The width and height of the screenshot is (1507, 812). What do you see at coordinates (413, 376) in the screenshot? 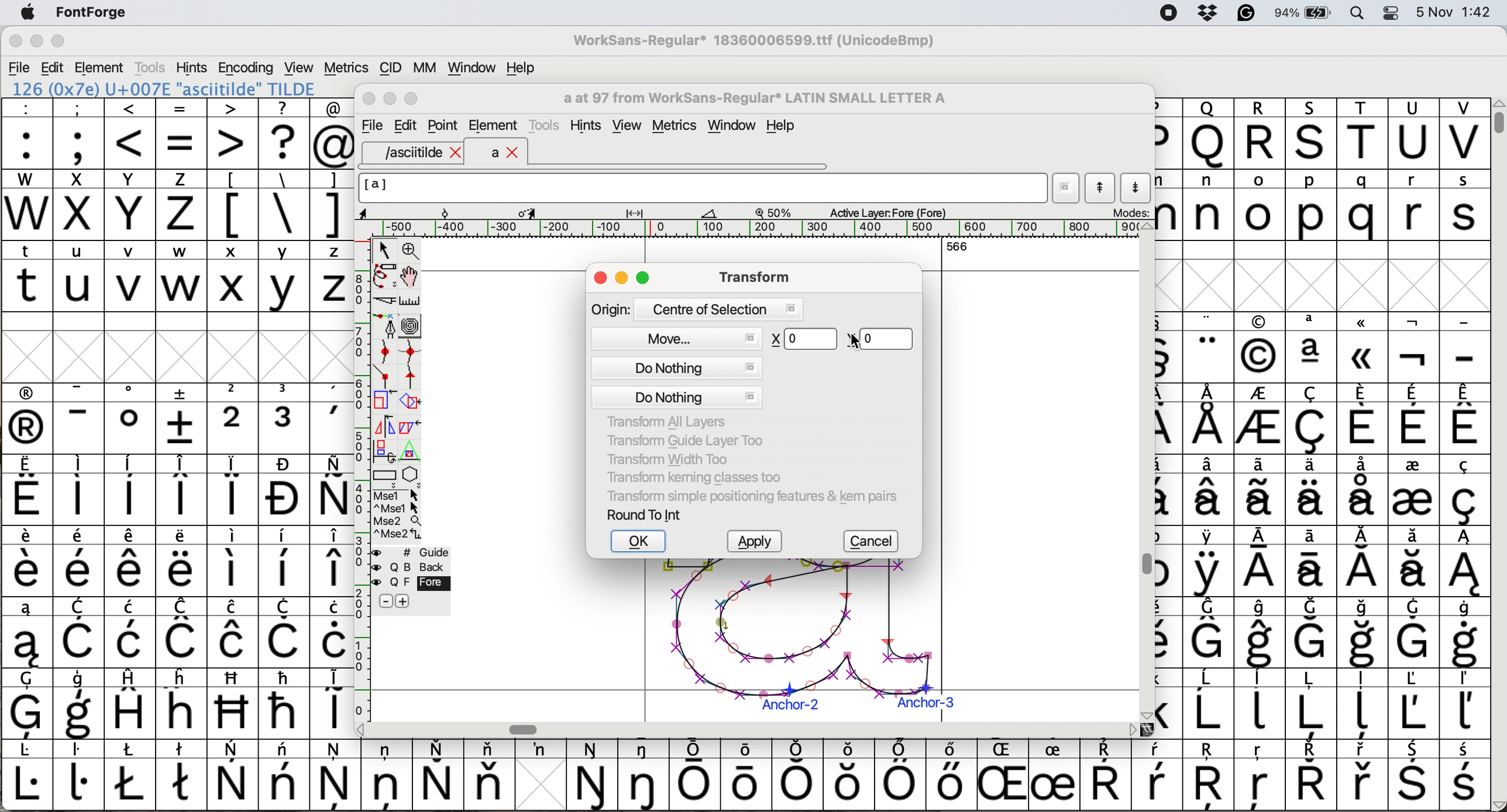
I see `add a tangent point` at bounding box center [413, 376].